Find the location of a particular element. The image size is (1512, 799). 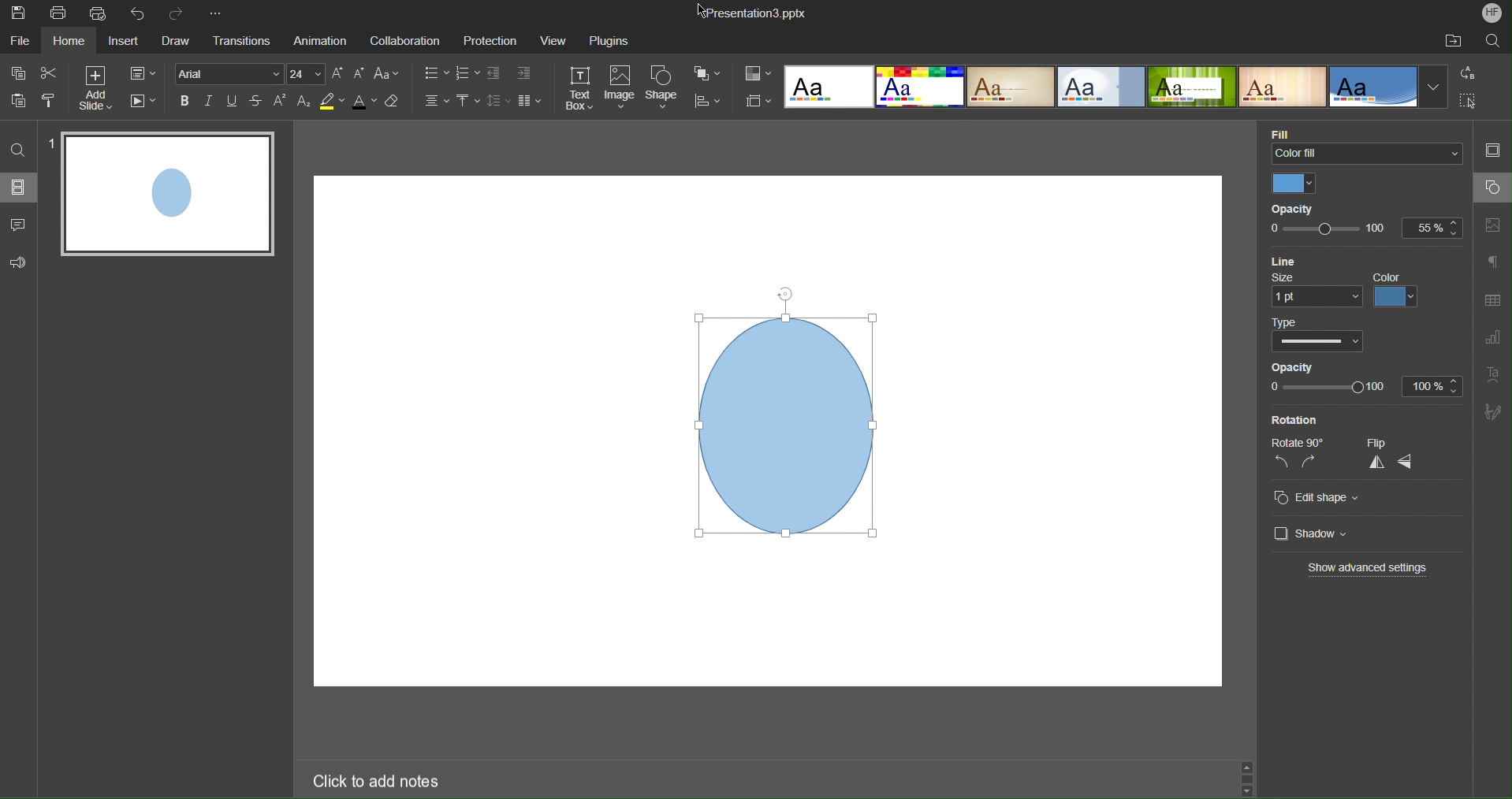

Columns is located at coordinates (531, 102).